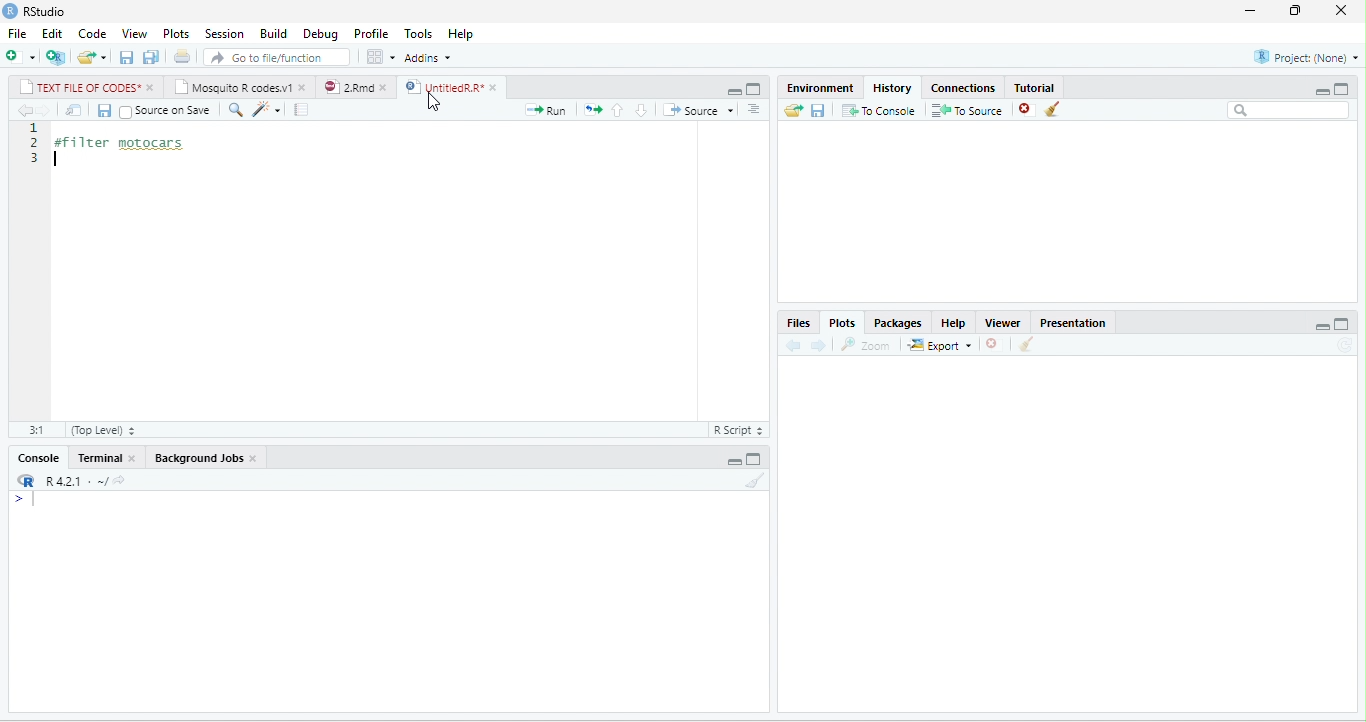  What do you see at coordinates (1341, 89) in the screenshot?
I see `maximize` at bounding box center [1341, 89].